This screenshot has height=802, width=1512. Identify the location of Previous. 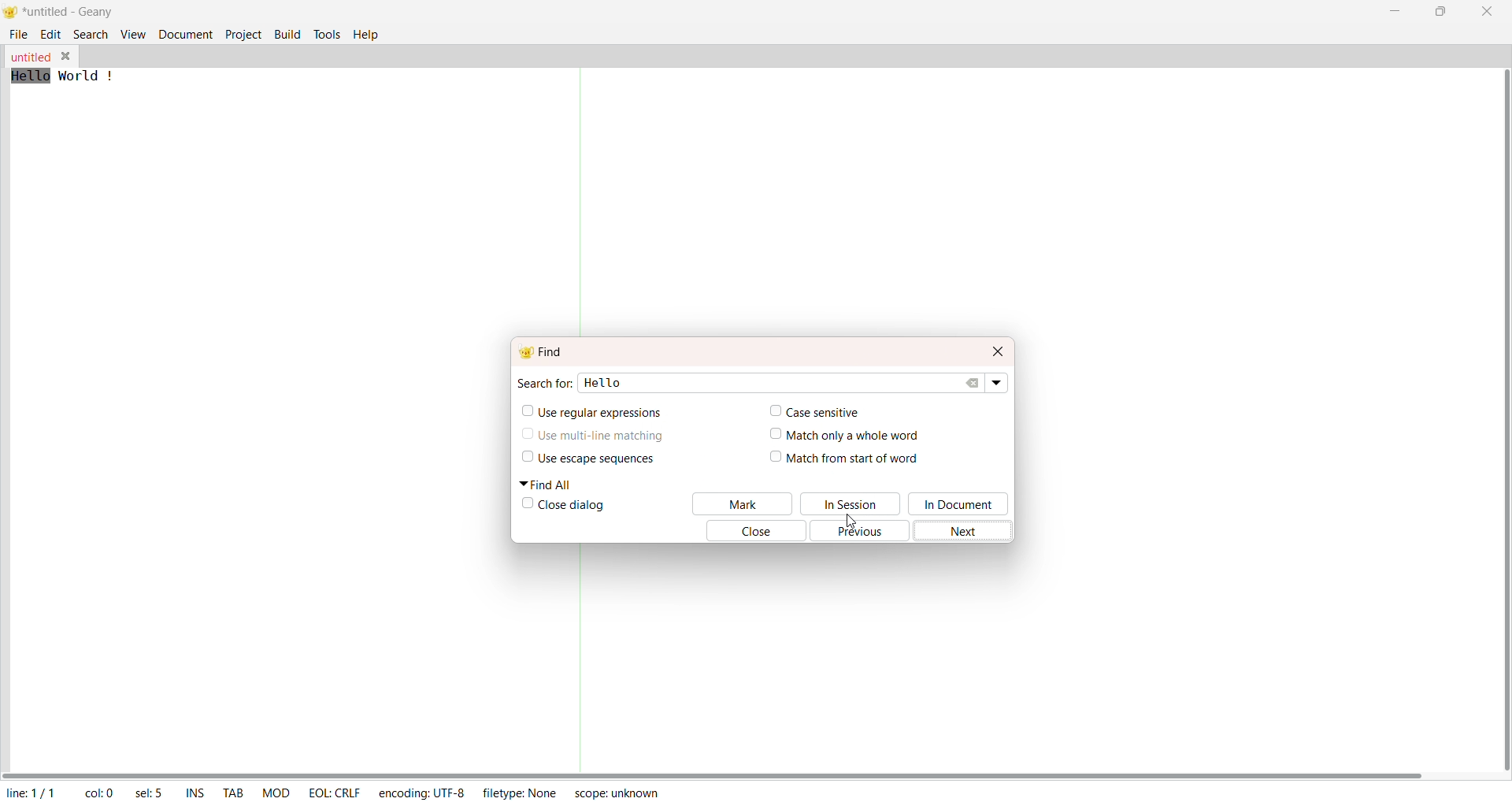
(862, 534).